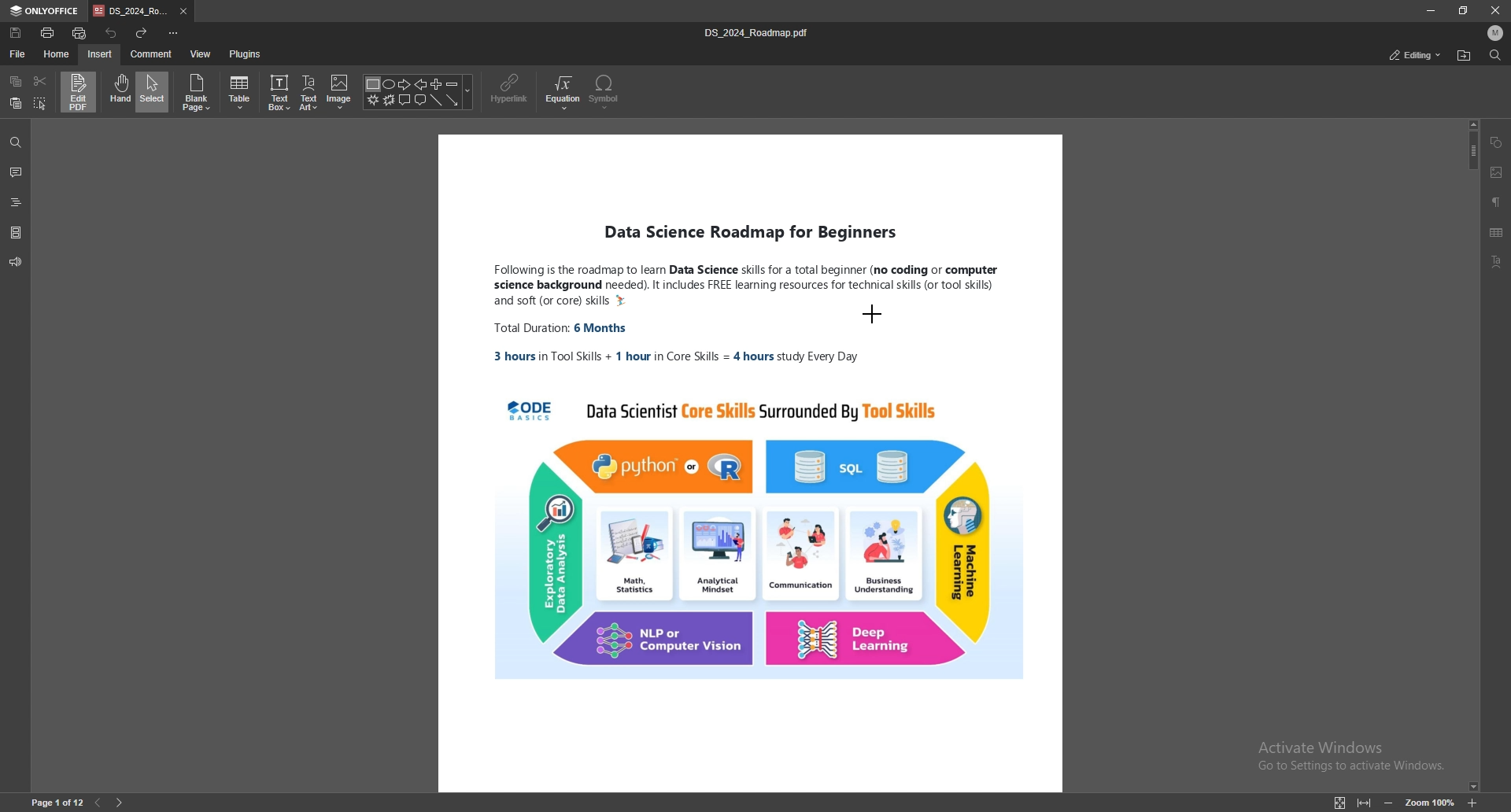 The width and height of the screenshot is (1511, 812). I want to click on close, so click(1495, 9).